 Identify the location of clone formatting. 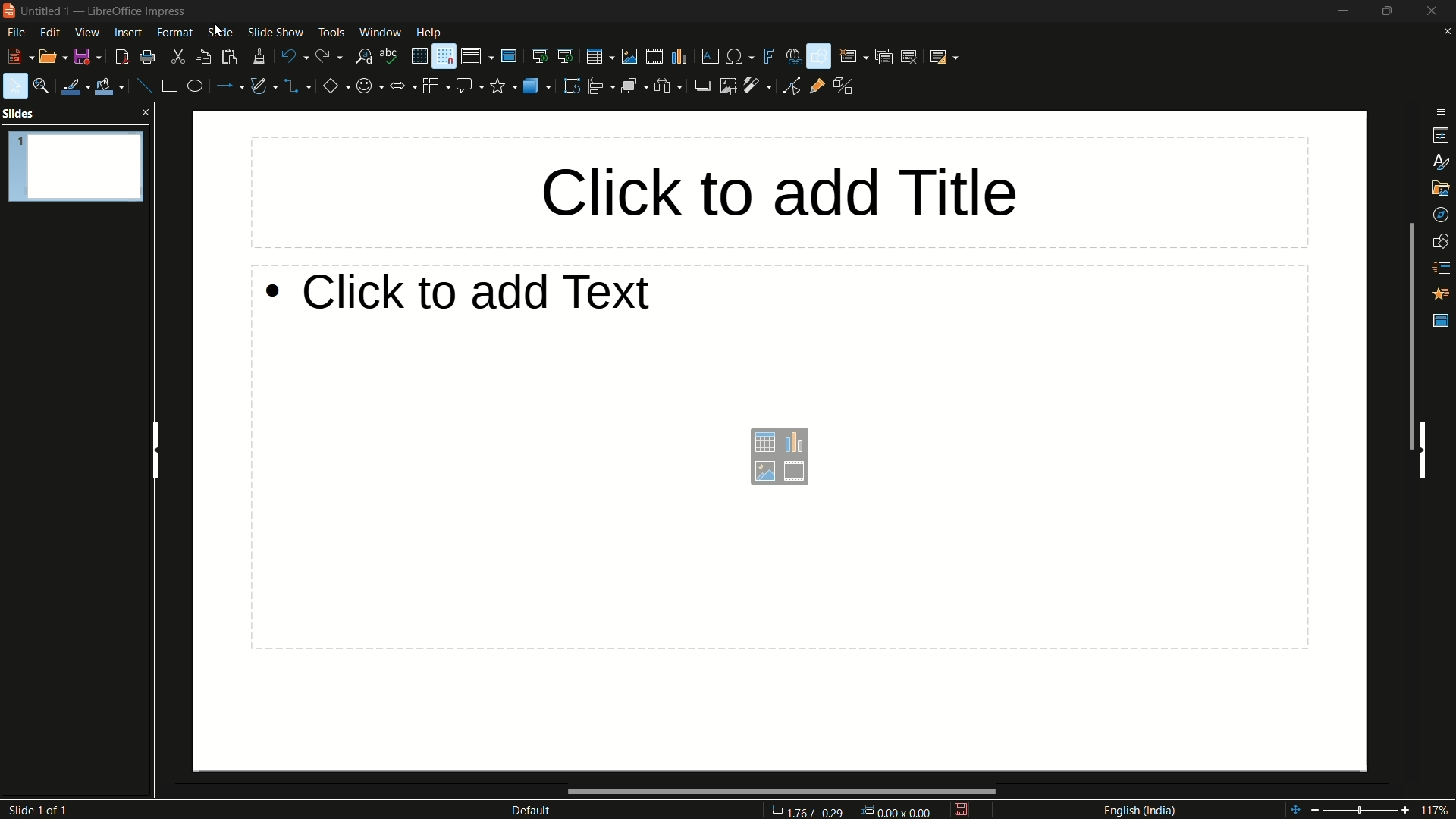
(258, 55).